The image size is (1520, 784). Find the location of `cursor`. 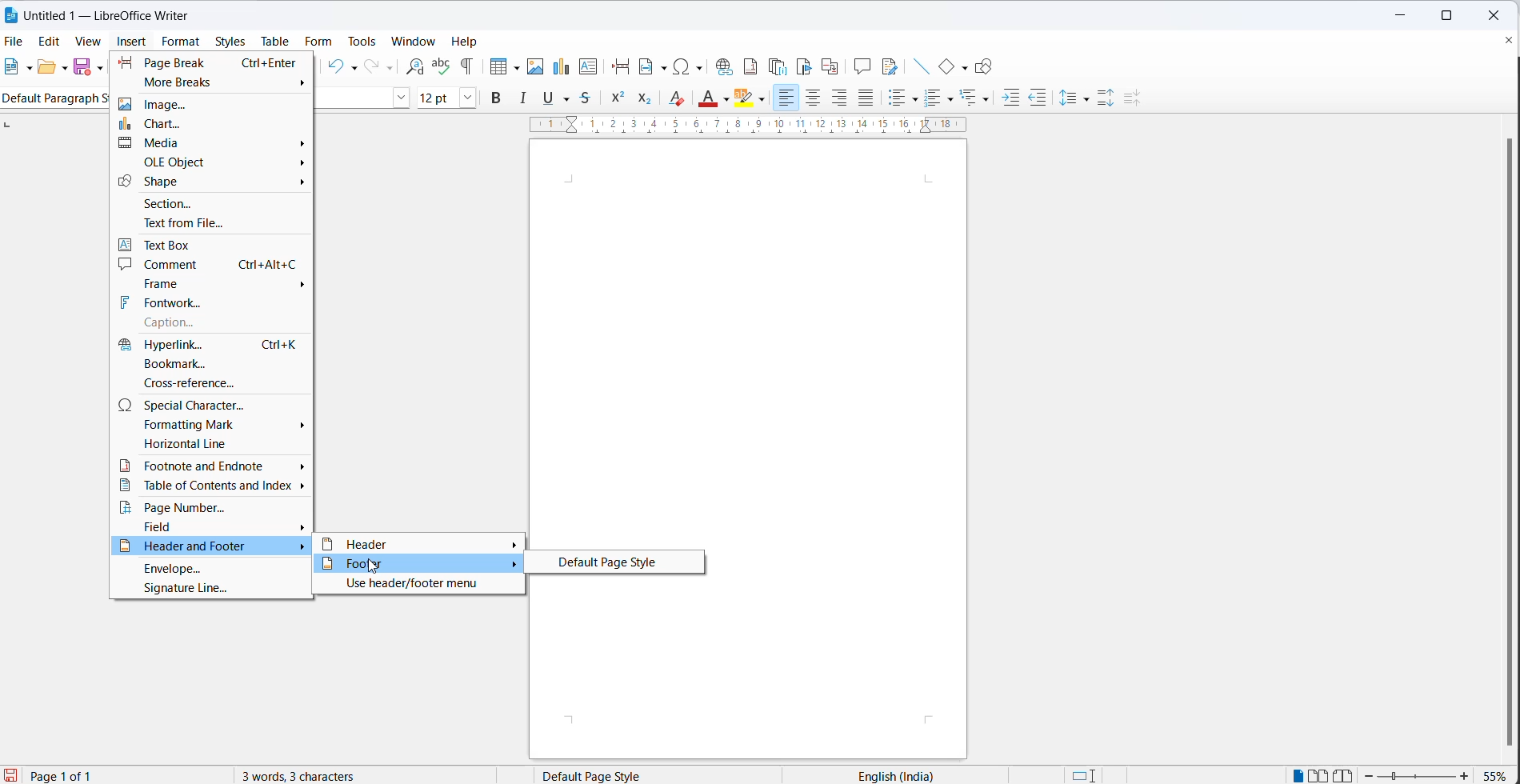

cursor is located at coordinates (379, 560).